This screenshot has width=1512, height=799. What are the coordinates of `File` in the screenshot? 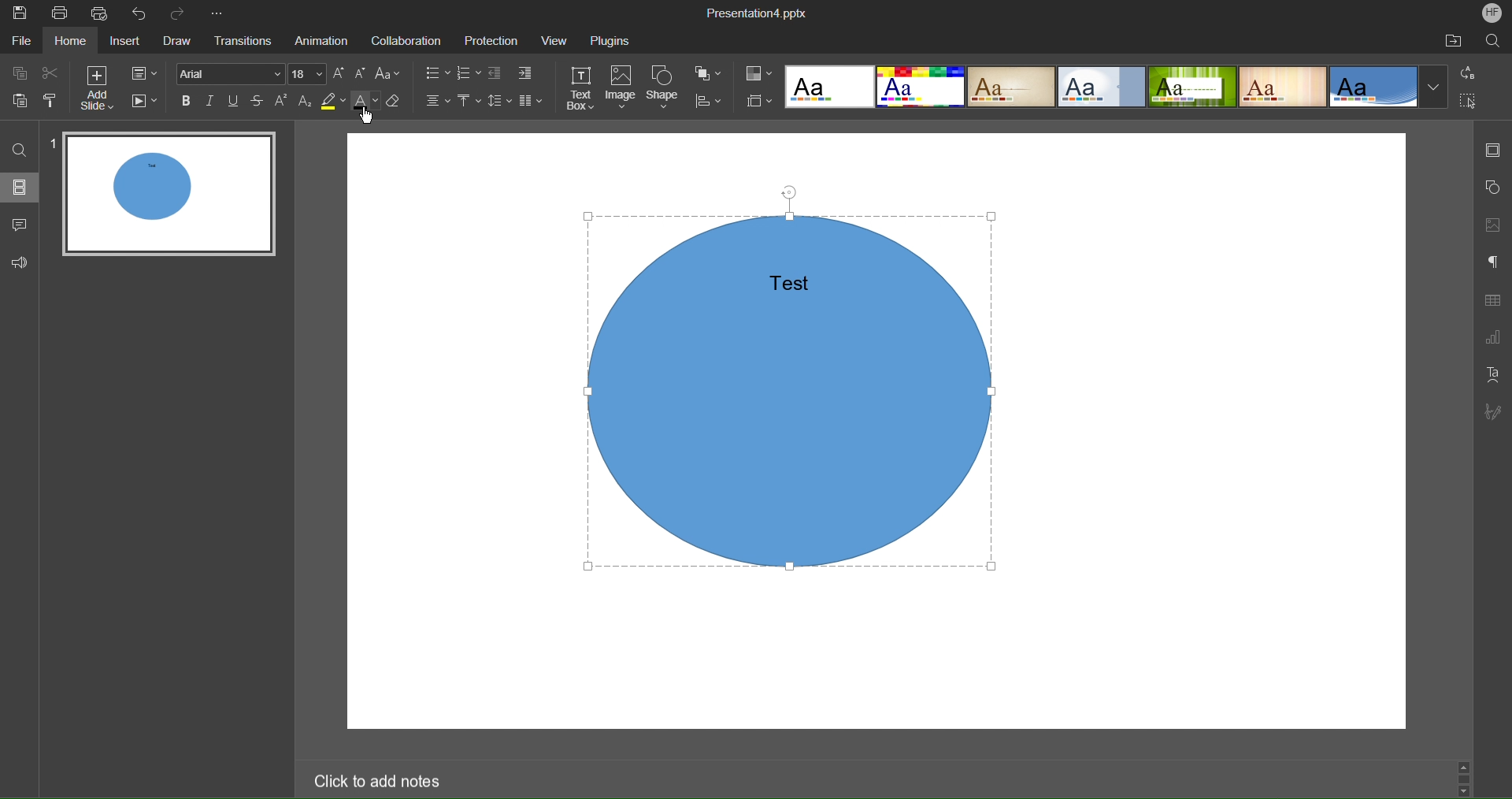 It's located at (20, 42).